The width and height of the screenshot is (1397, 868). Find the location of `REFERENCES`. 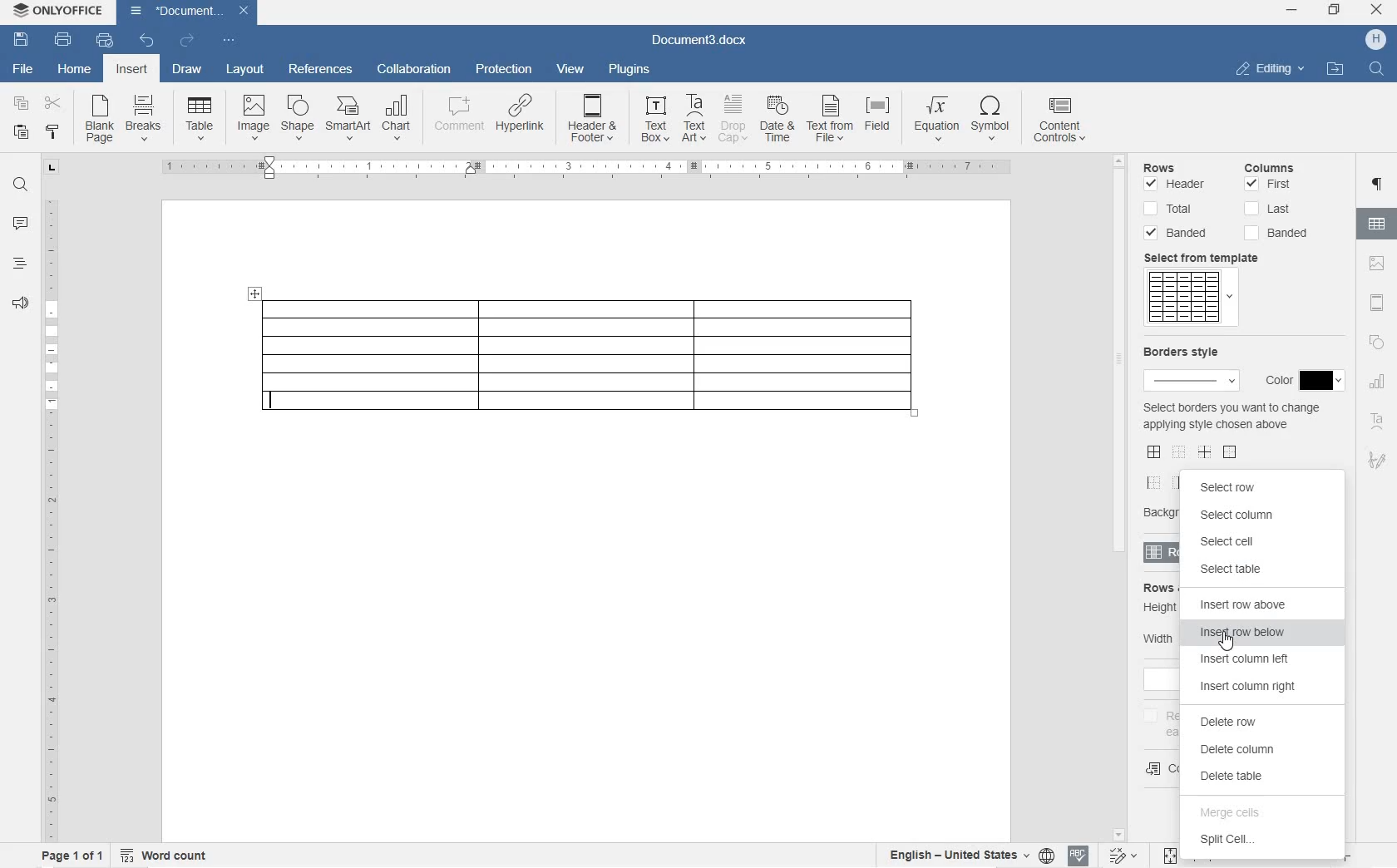

REFERENCES is located at coordinates (321, 71).